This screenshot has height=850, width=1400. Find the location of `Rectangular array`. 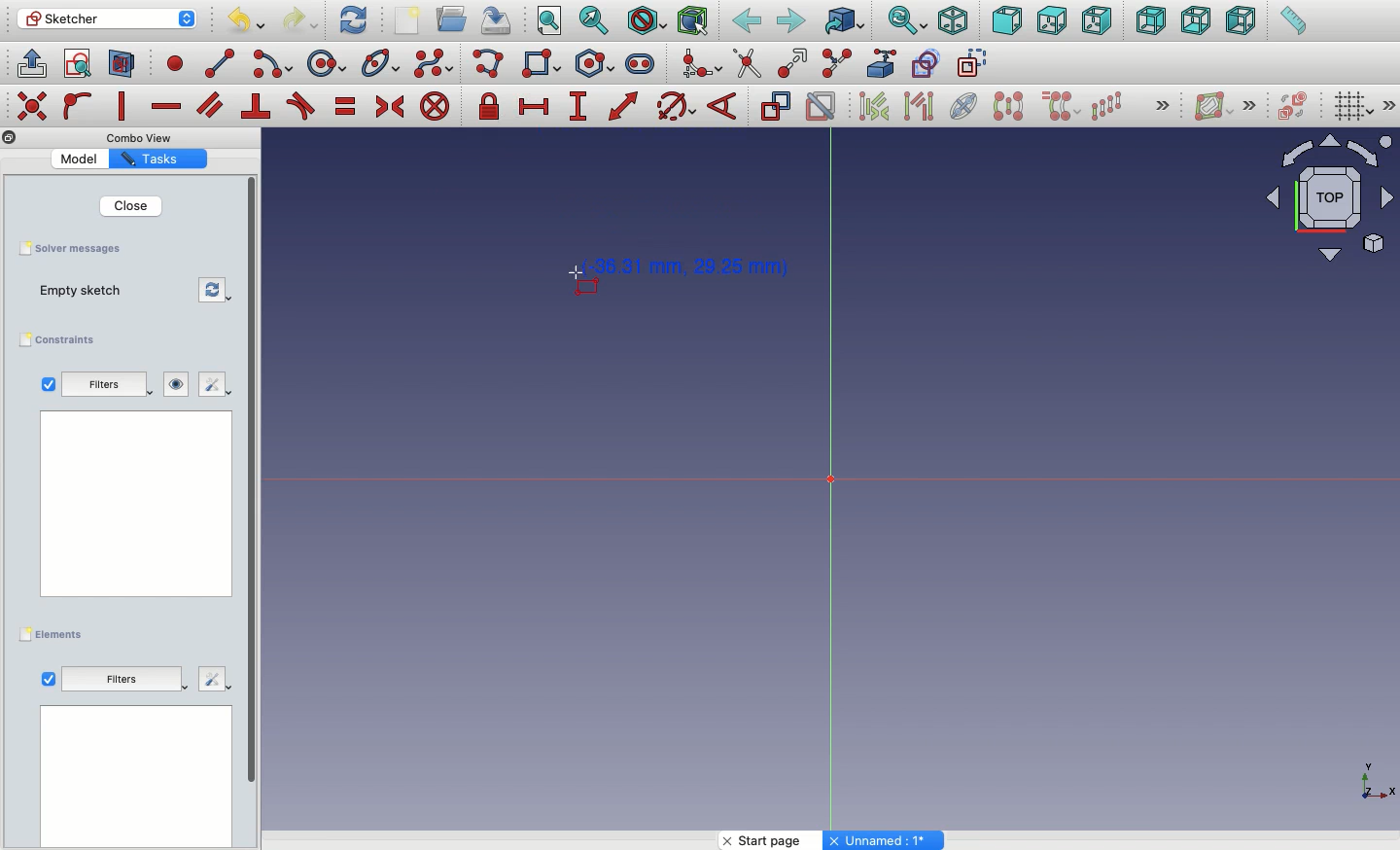

Rectangular array is located at coordinates (1108, 106).